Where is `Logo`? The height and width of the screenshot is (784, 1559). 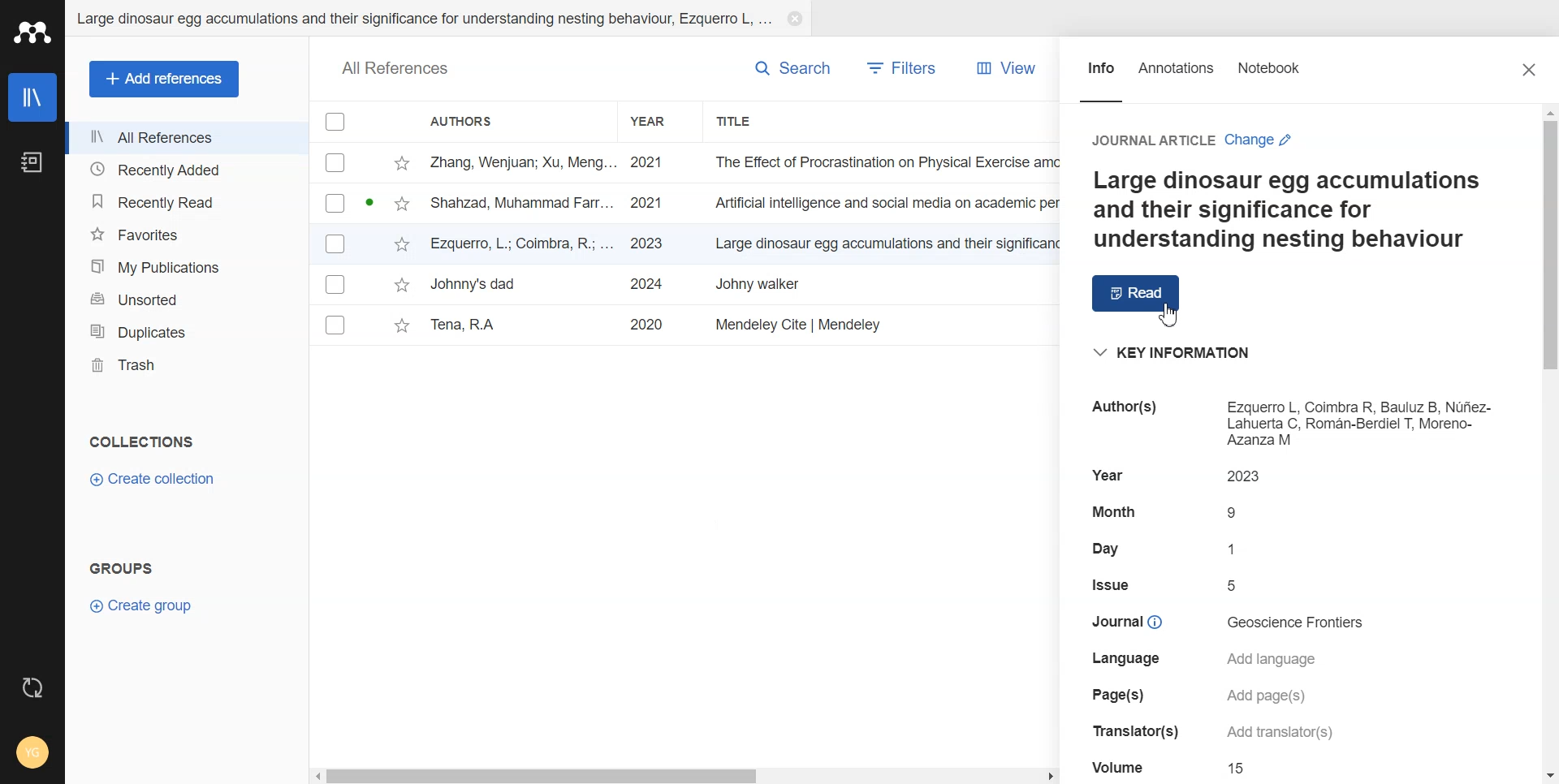 Logo is located at coordinates (32, 32).